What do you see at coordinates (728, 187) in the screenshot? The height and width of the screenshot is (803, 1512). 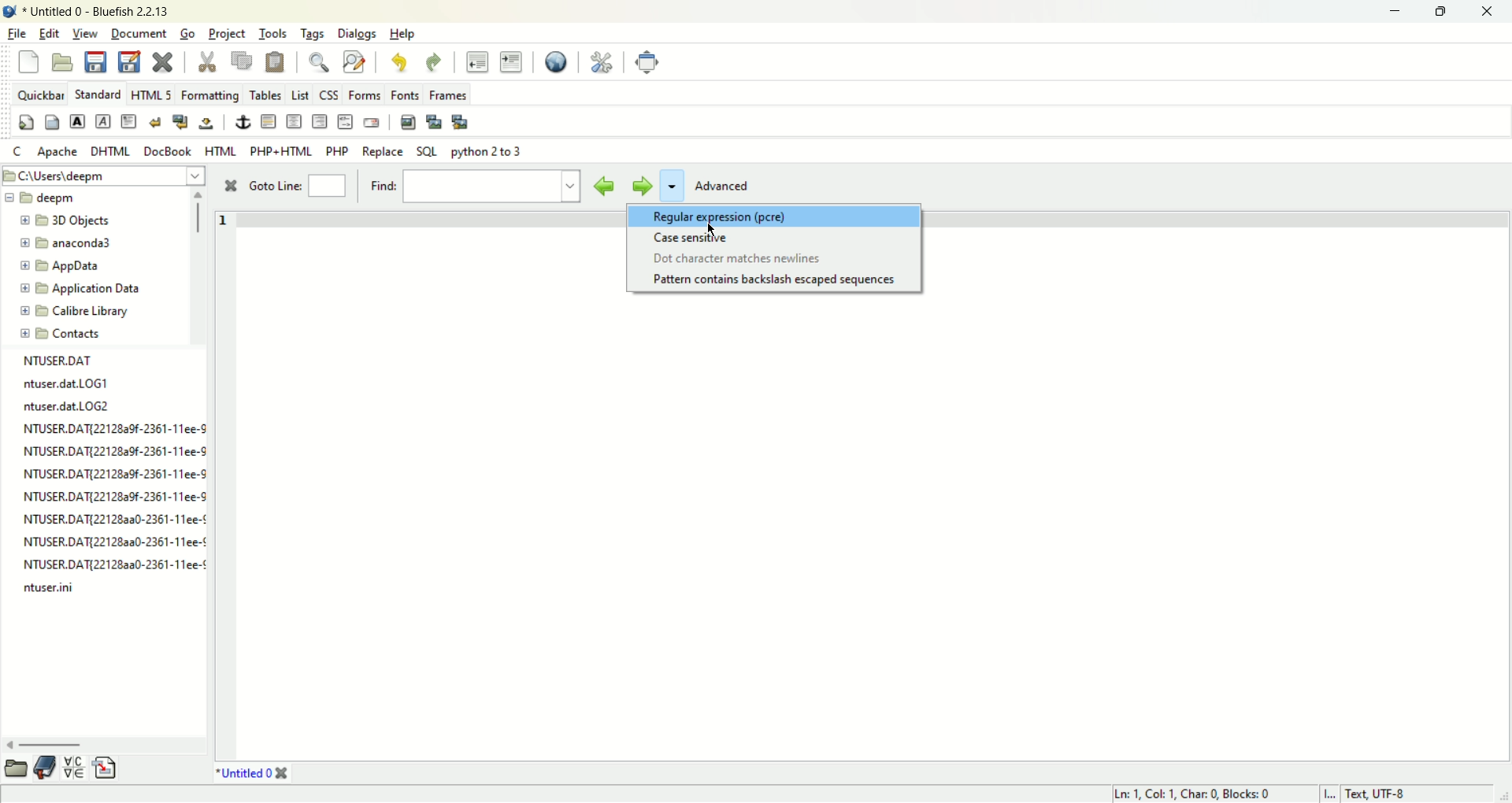 I see `advanced` at bounding box center [728, 187].